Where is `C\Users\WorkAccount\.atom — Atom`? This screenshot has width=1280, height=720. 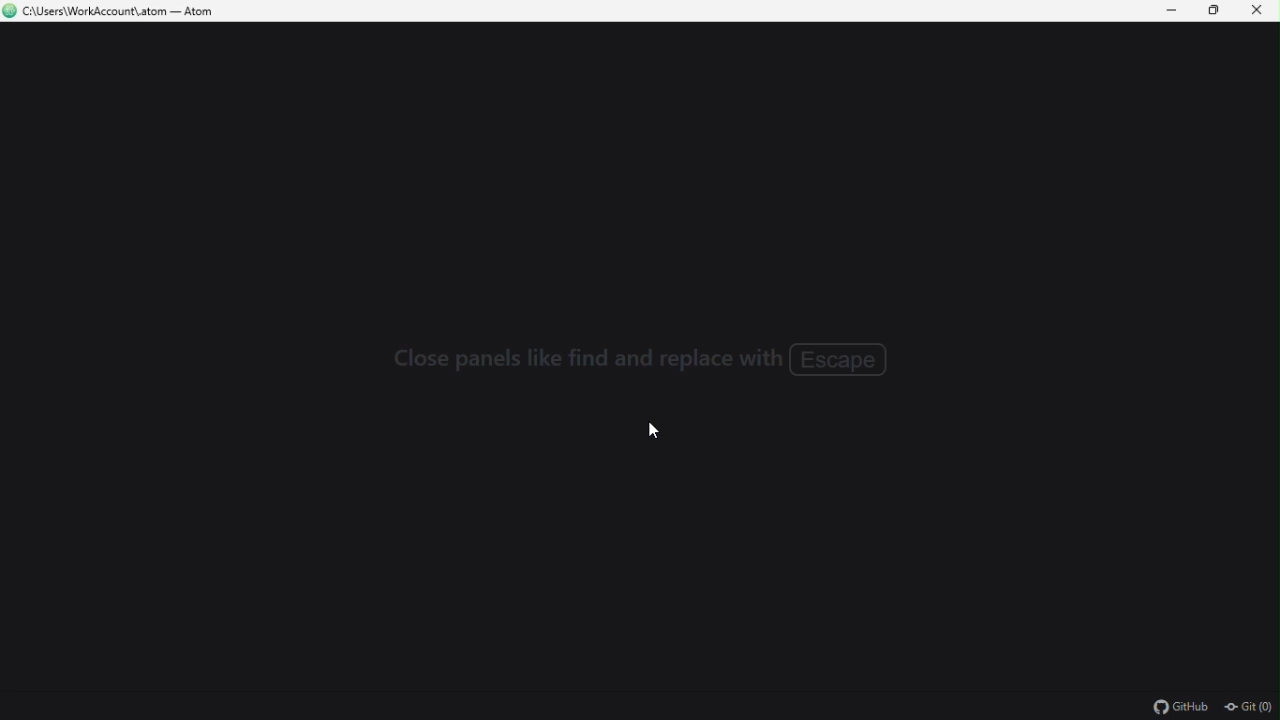 C\Users\WorkAccount\.atom — Atom is located at coordinates (120, 11).